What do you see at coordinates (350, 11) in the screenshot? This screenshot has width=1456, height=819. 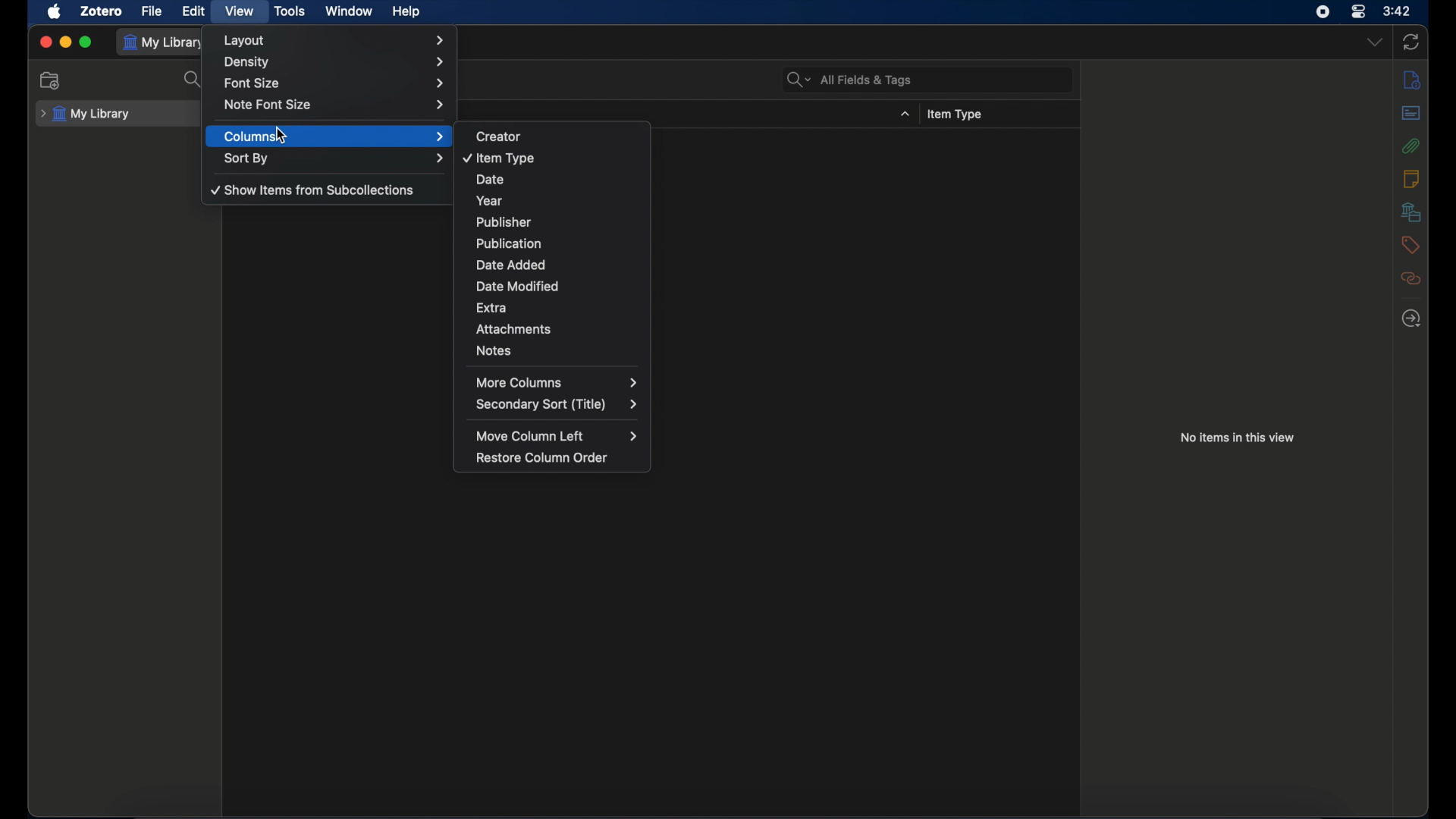 I see `window` at bounding box center [350, 11].